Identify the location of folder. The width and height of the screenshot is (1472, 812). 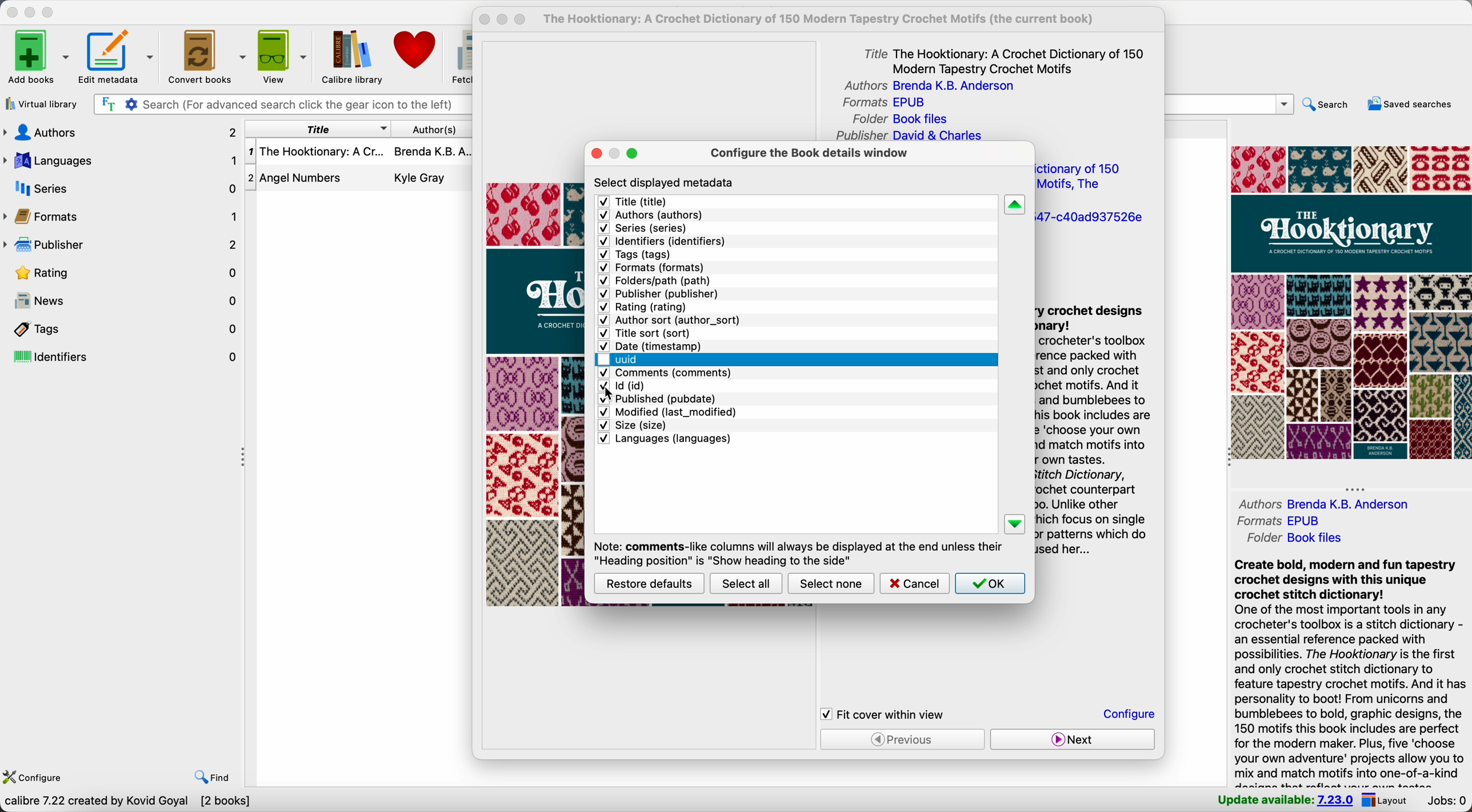
(905, 119).